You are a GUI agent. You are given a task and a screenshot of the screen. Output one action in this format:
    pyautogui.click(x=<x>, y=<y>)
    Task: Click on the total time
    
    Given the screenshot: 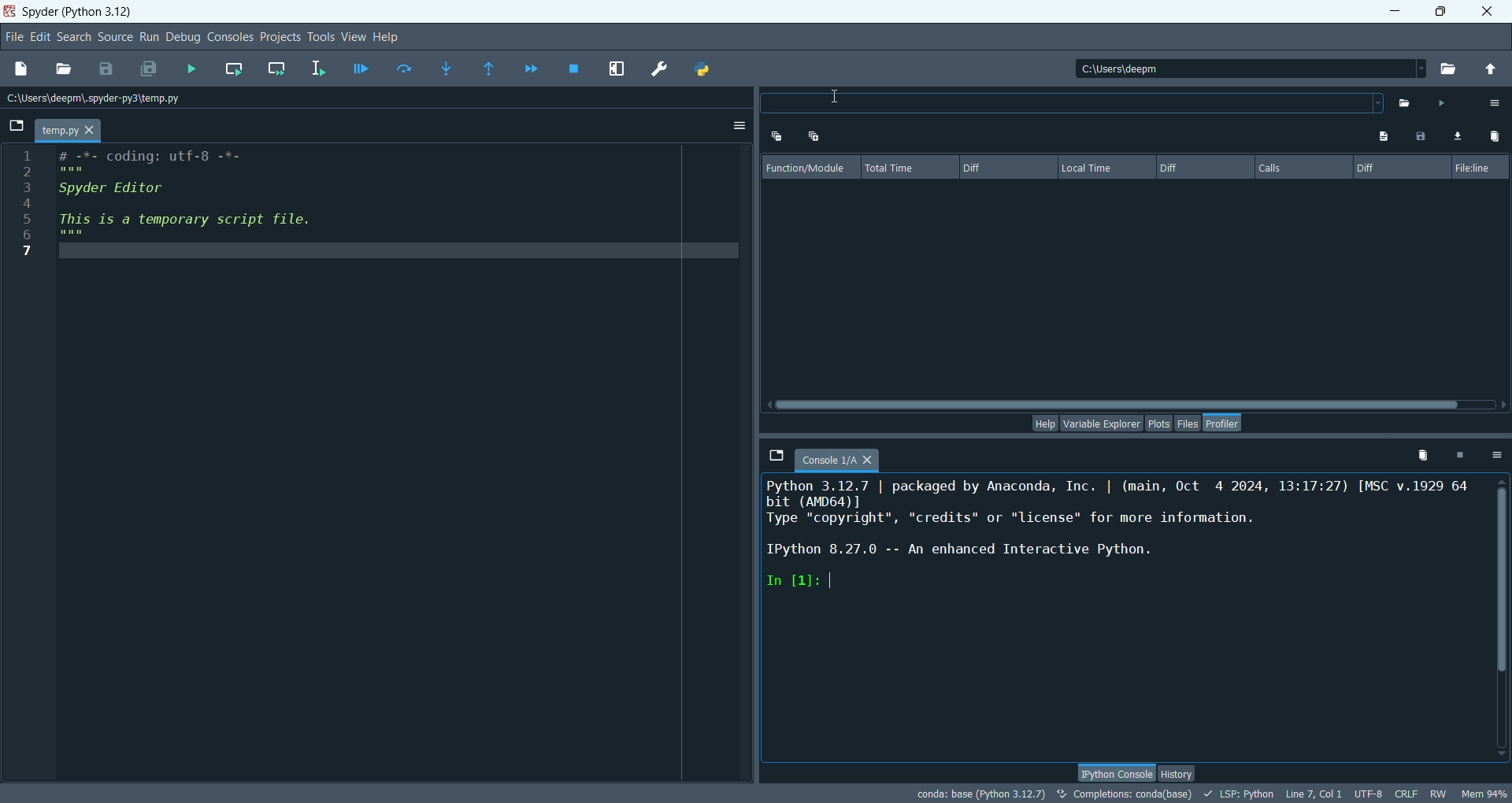 What is the action you would take?
    pyautogui.click(x=910, y=167)
    